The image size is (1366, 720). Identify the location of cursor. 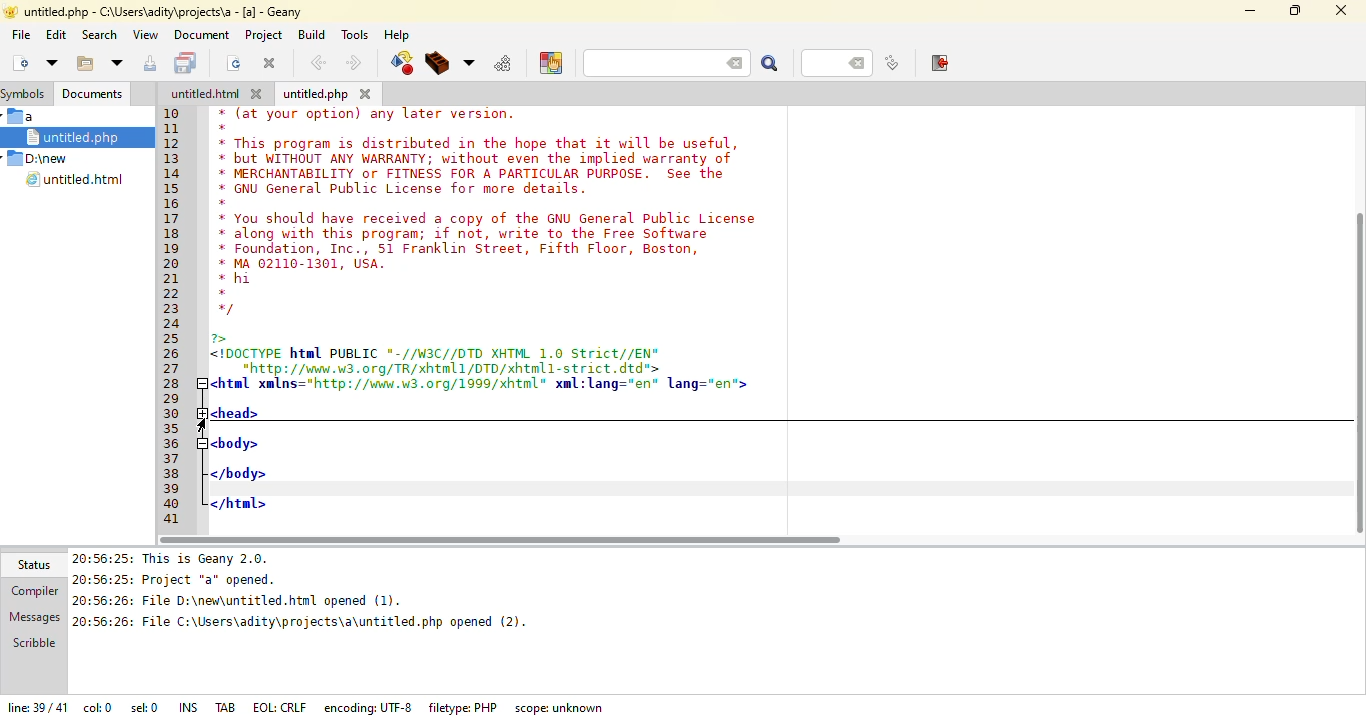
(204, 425).